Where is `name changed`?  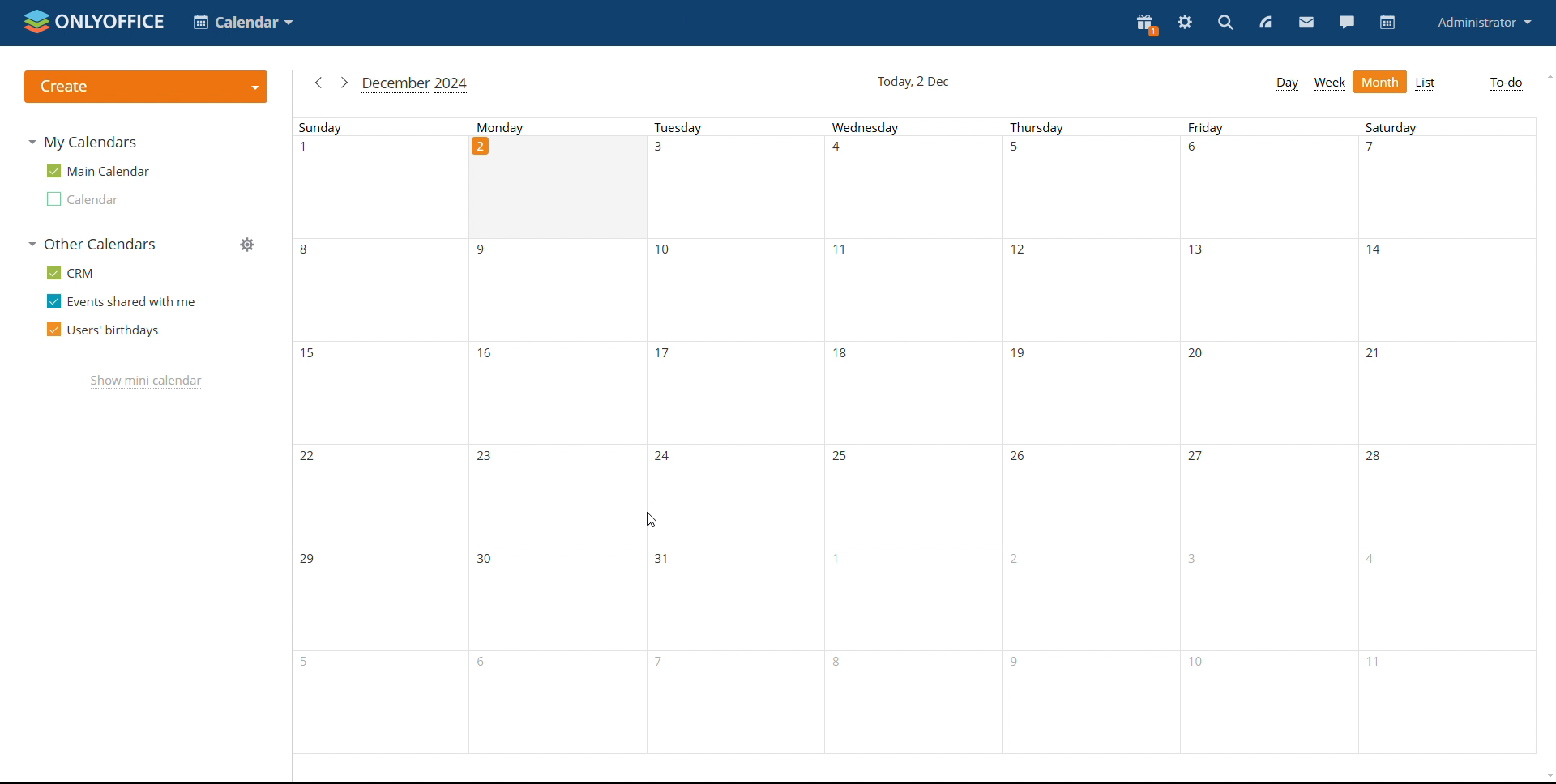
name changed is located at coordinates (101, 170).